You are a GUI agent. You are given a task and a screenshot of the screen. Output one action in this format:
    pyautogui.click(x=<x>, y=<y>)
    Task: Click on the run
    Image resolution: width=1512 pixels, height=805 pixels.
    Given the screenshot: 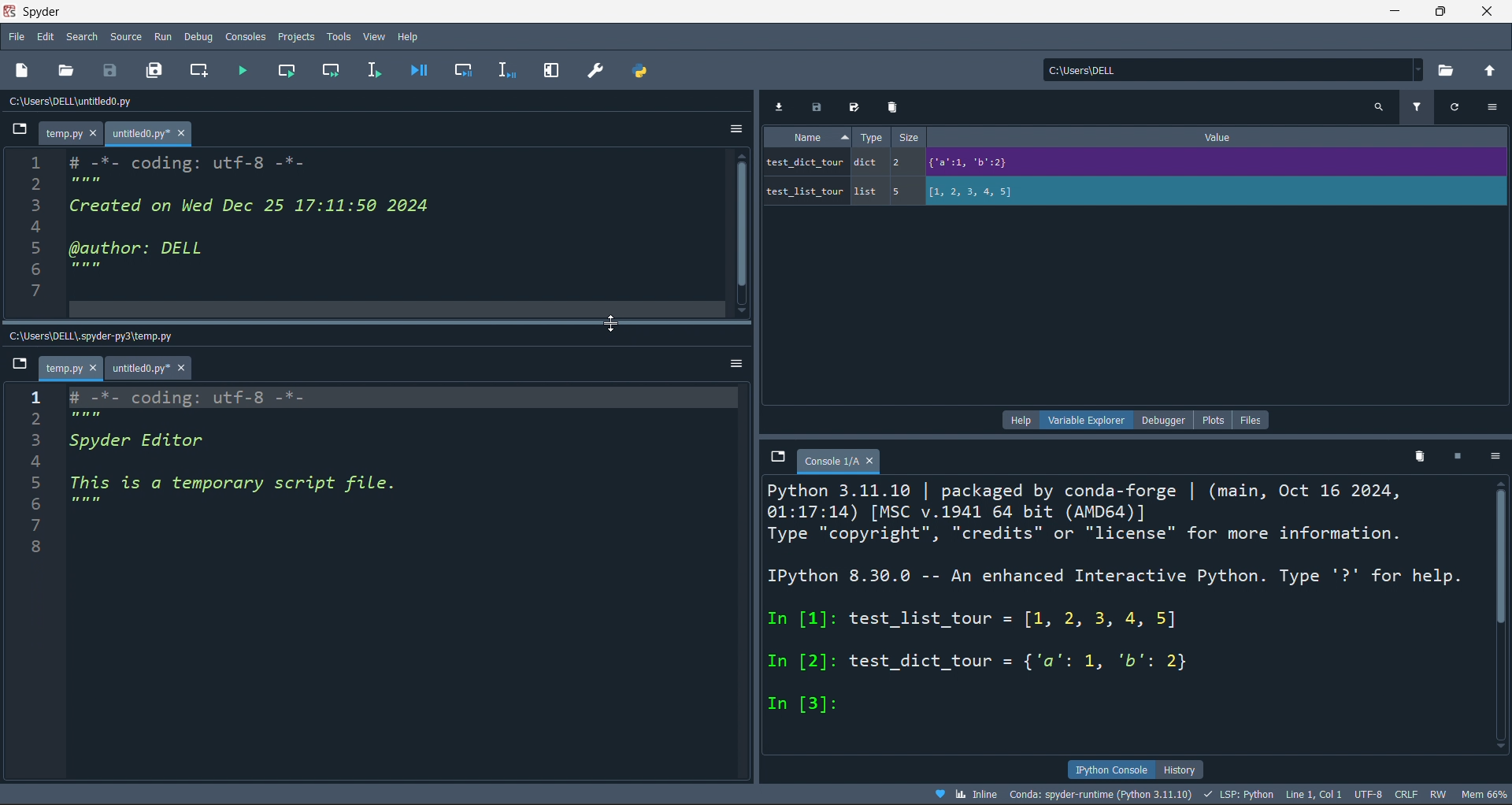 What is the action you would take?
    pyautogui.click(x=162, y=36)
    